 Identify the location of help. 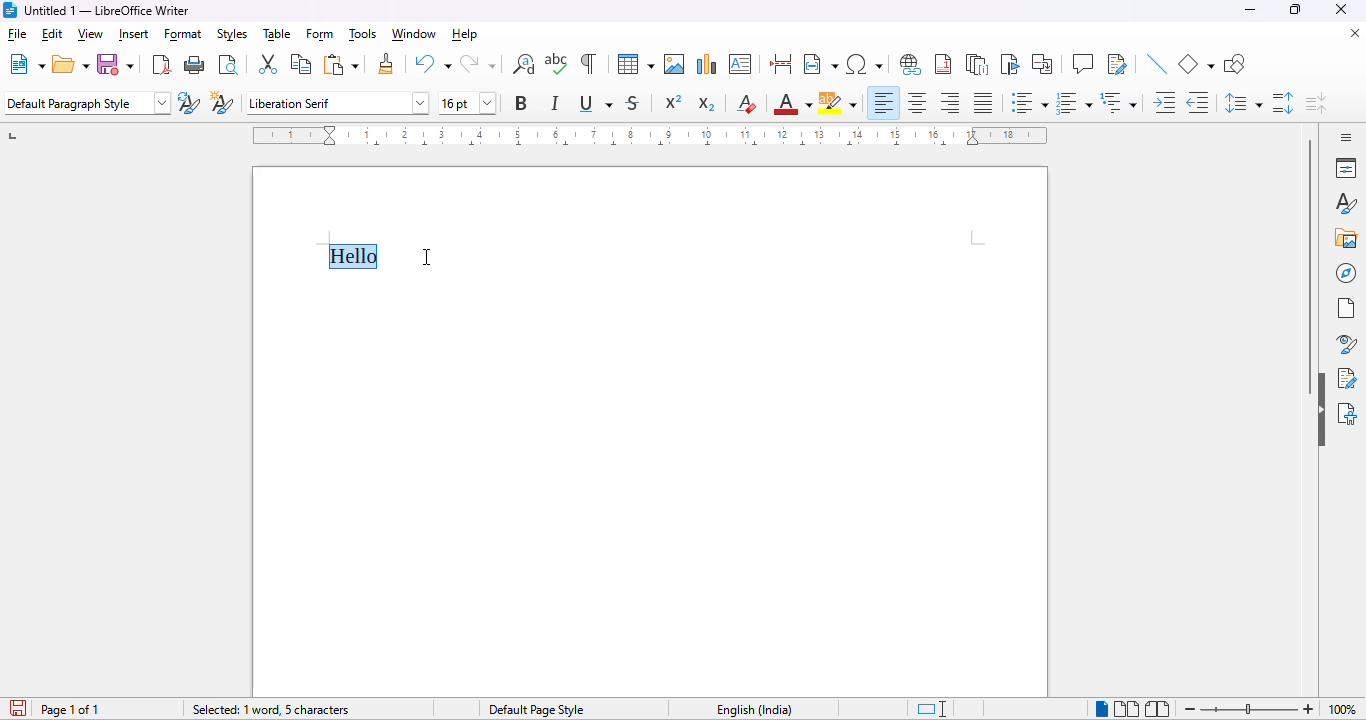
(464, 35).